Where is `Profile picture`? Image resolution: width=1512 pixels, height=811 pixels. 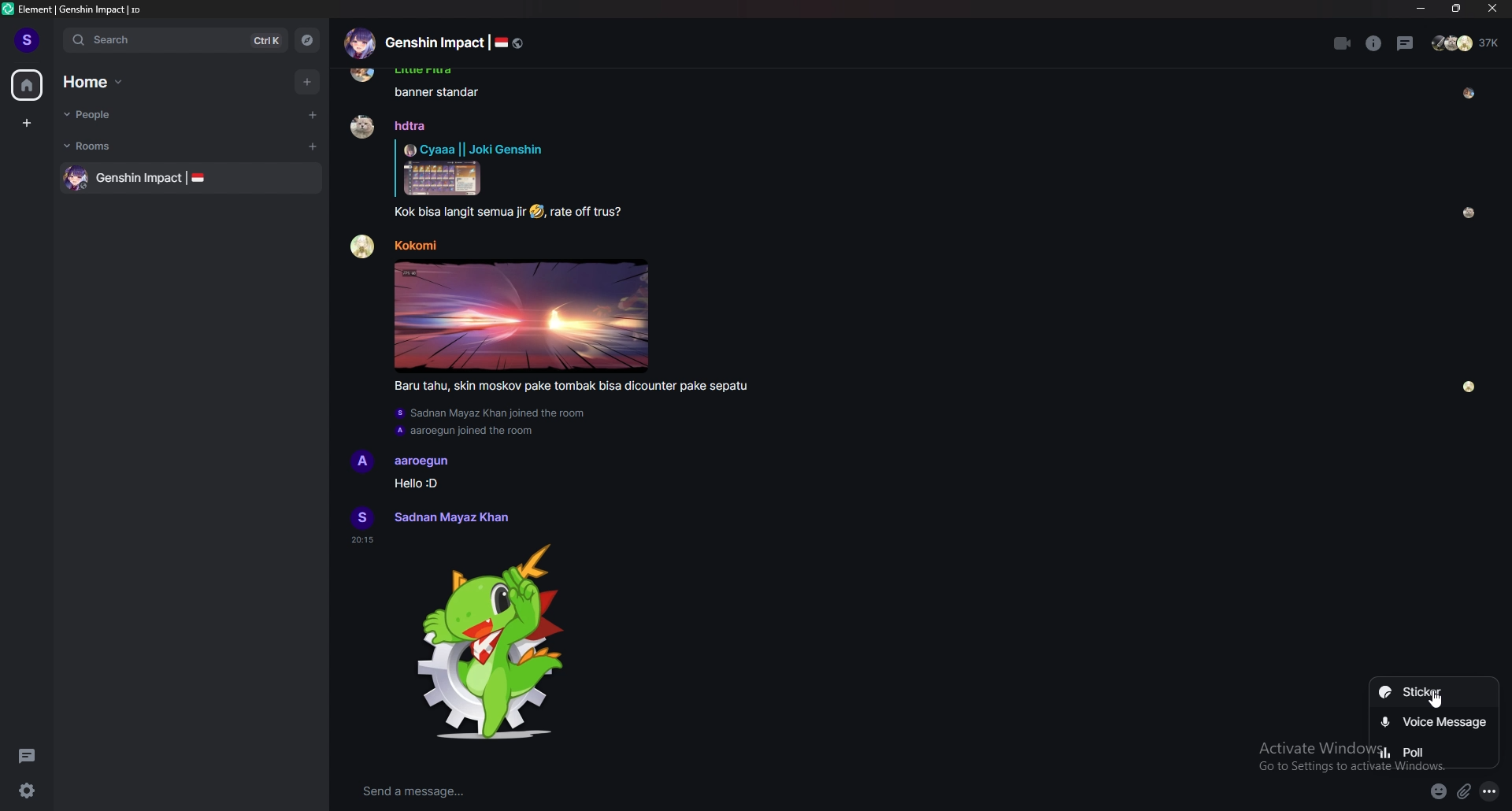
Profile picture is located at coordinates (361, 126).